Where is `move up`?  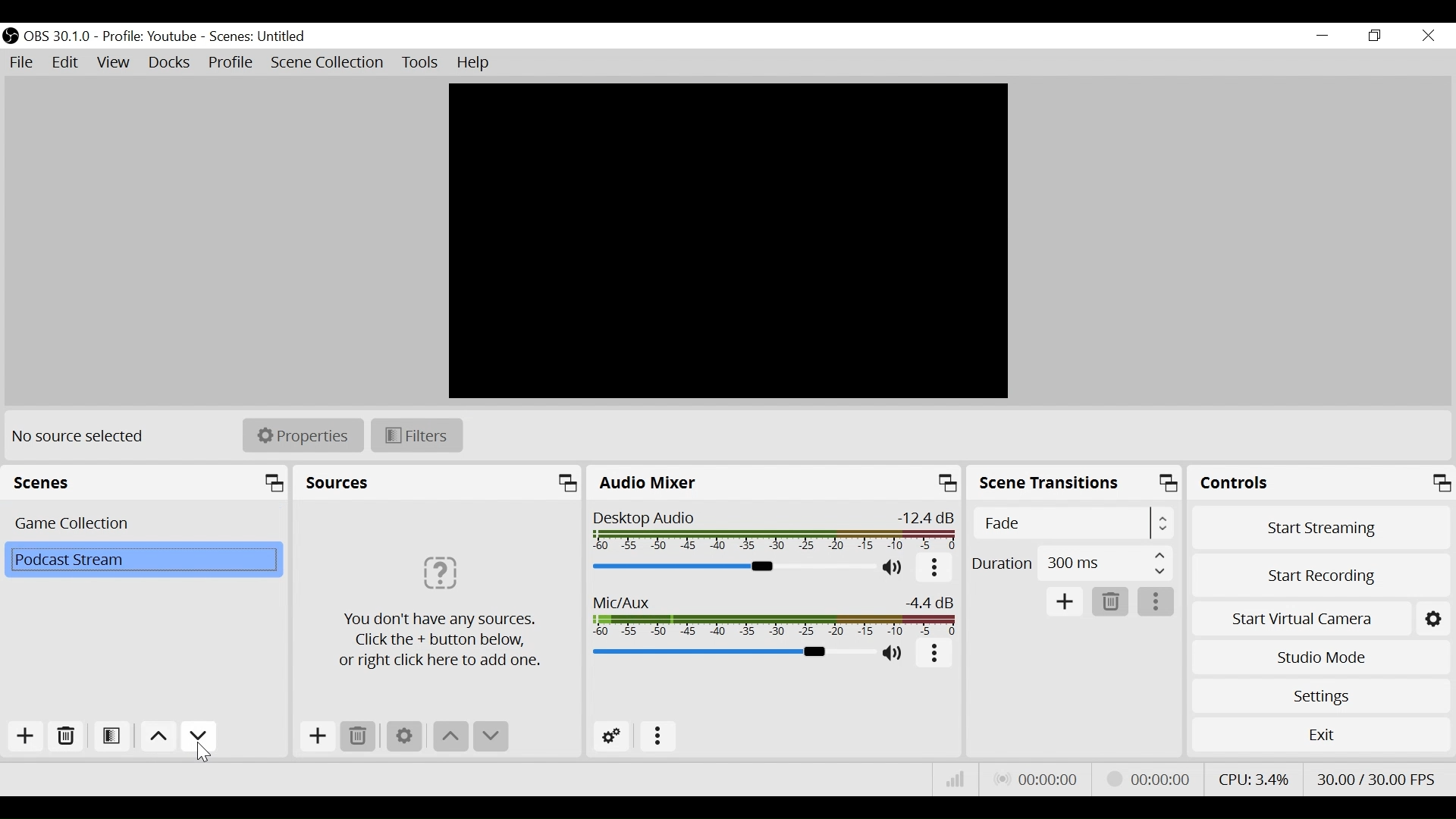
move up is located at coordinates (156, 736).